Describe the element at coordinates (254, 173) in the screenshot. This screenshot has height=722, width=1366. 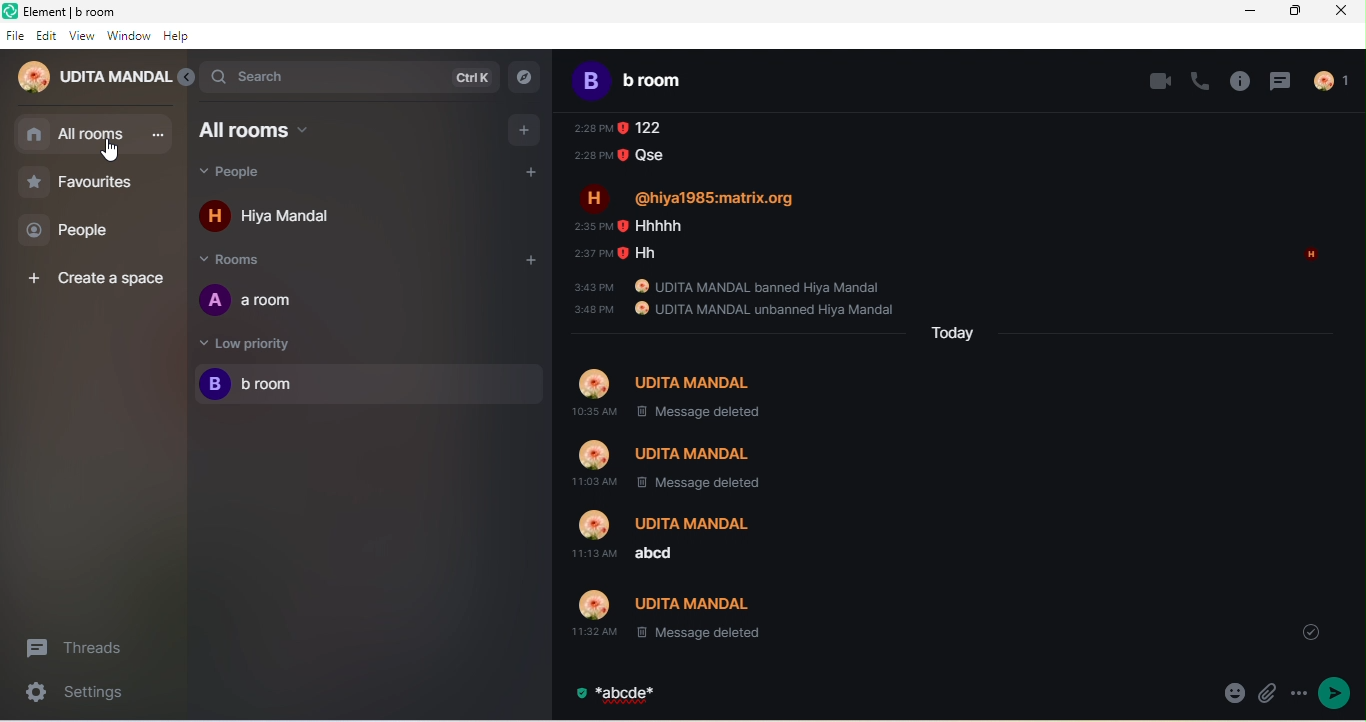
I see `people` at that location.